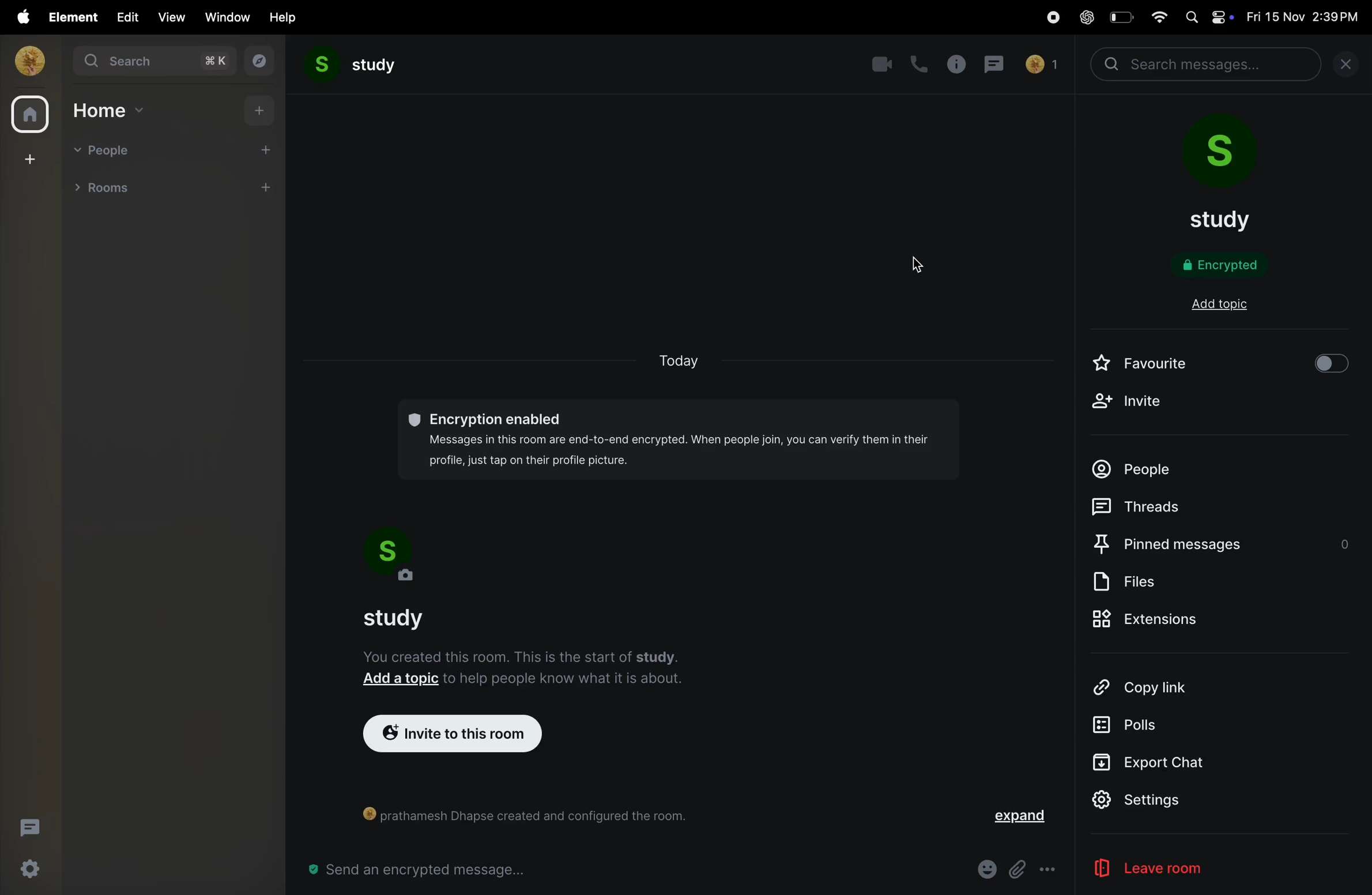  Describe the element at coordinates (1225, 220) in the screenshot. I see `study ` at that location.